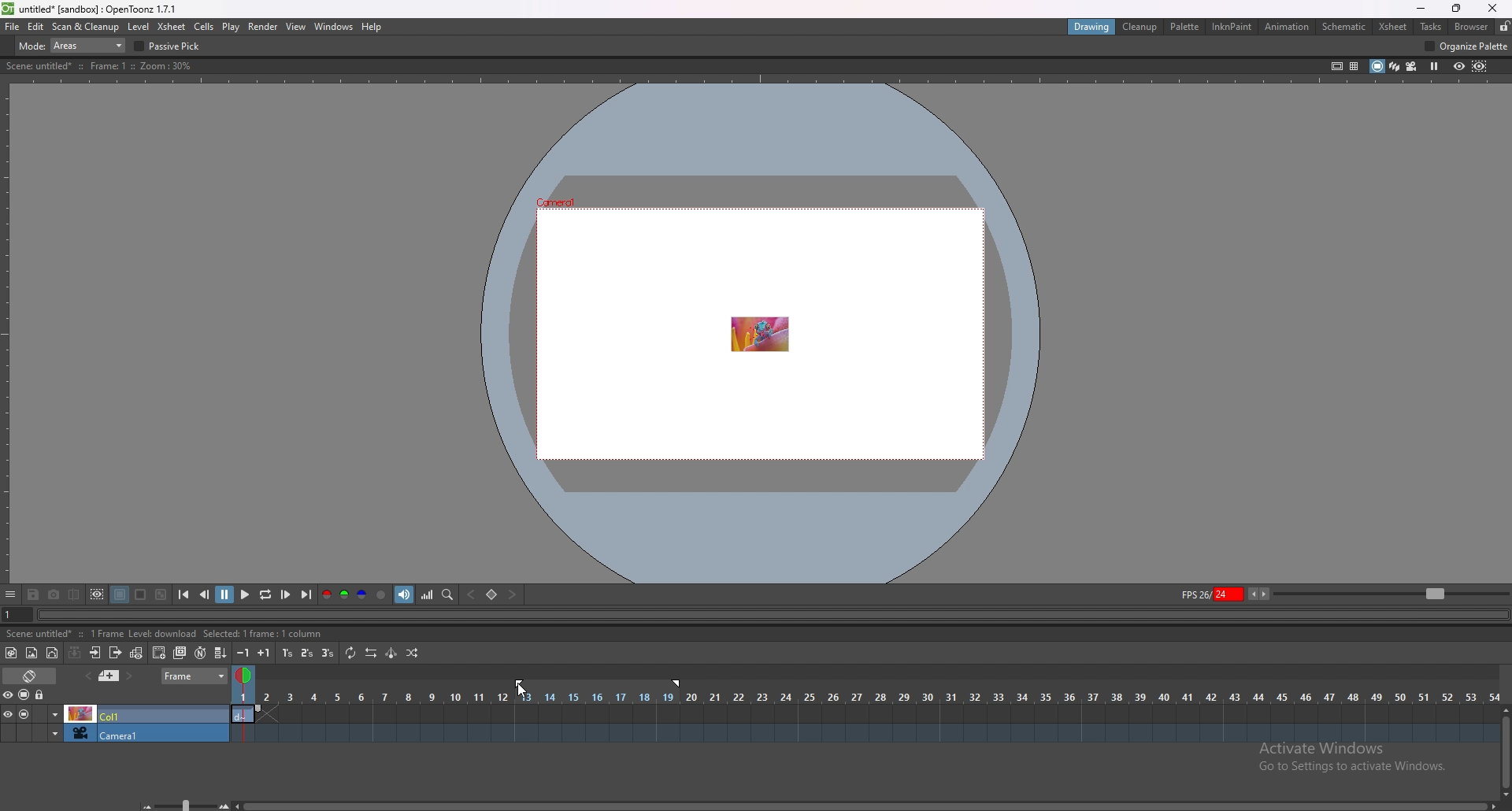 The image size is (1512, 811). Describe the element at coordinates (13, 27) in the screenshot. I see `file` at that location.